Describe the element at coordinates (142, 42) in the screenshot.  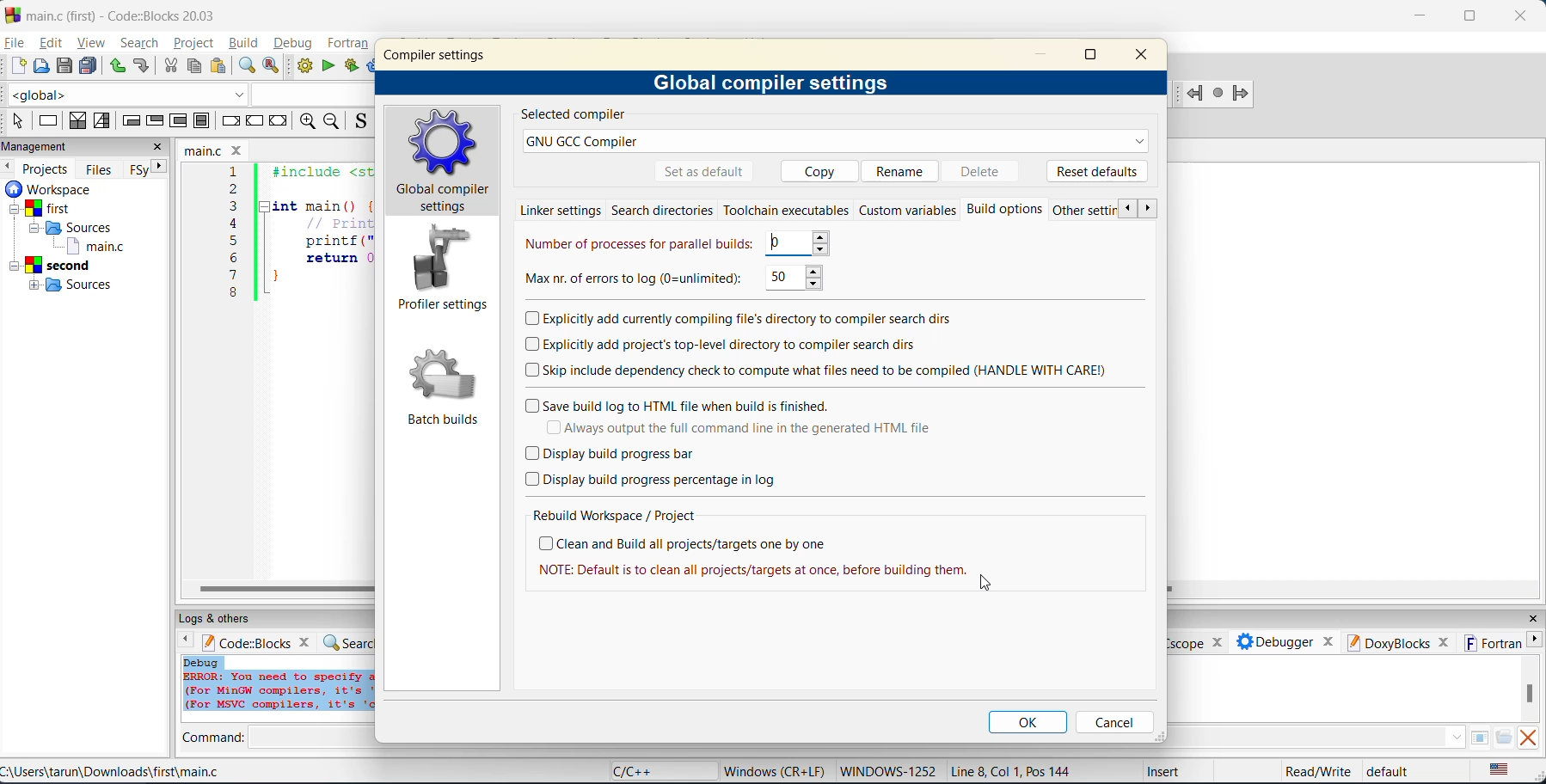
I see `search` at that location.